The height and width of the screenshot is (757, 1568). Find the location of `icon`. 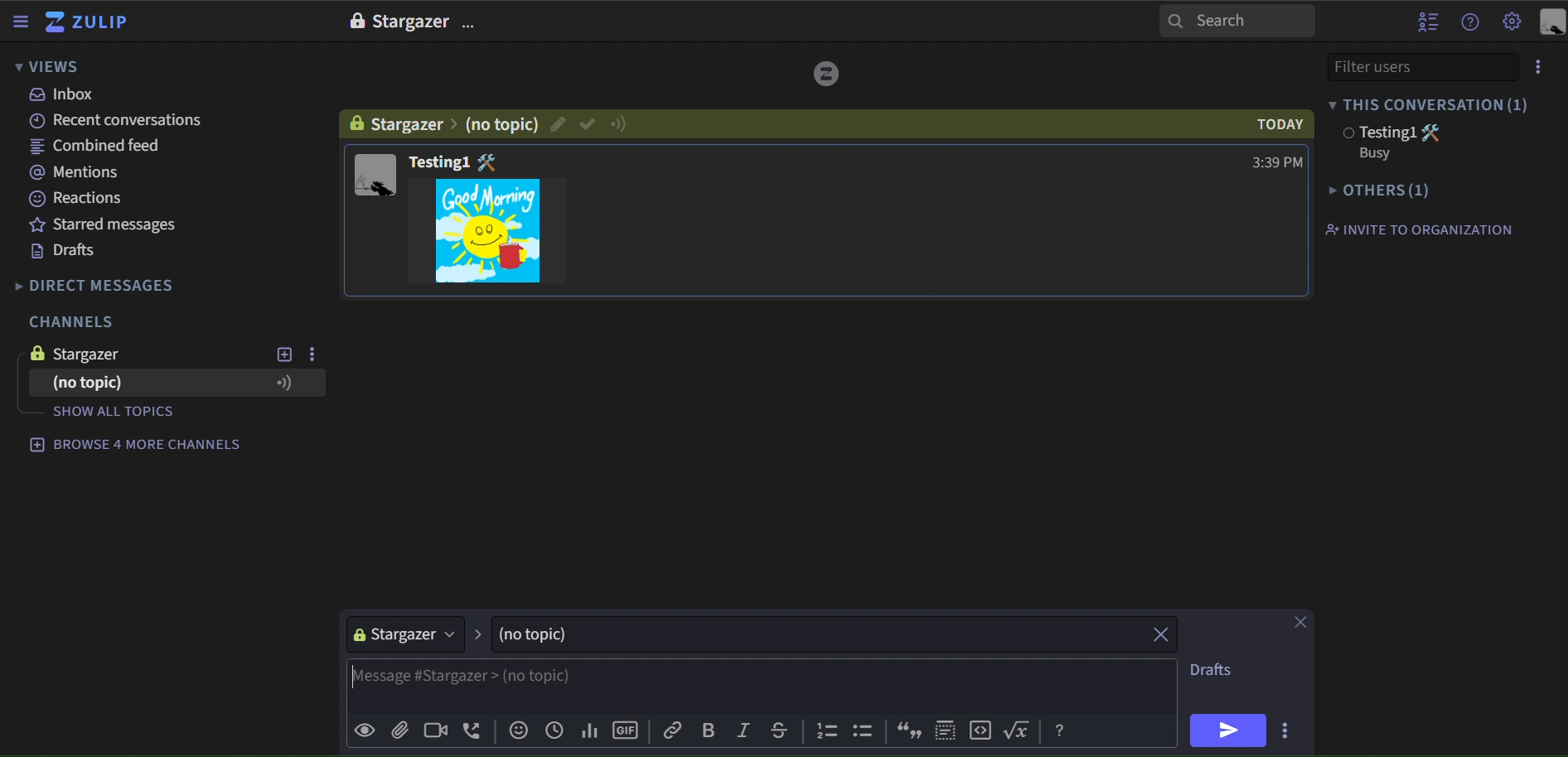

icon is located at coordinates (1021, 730).